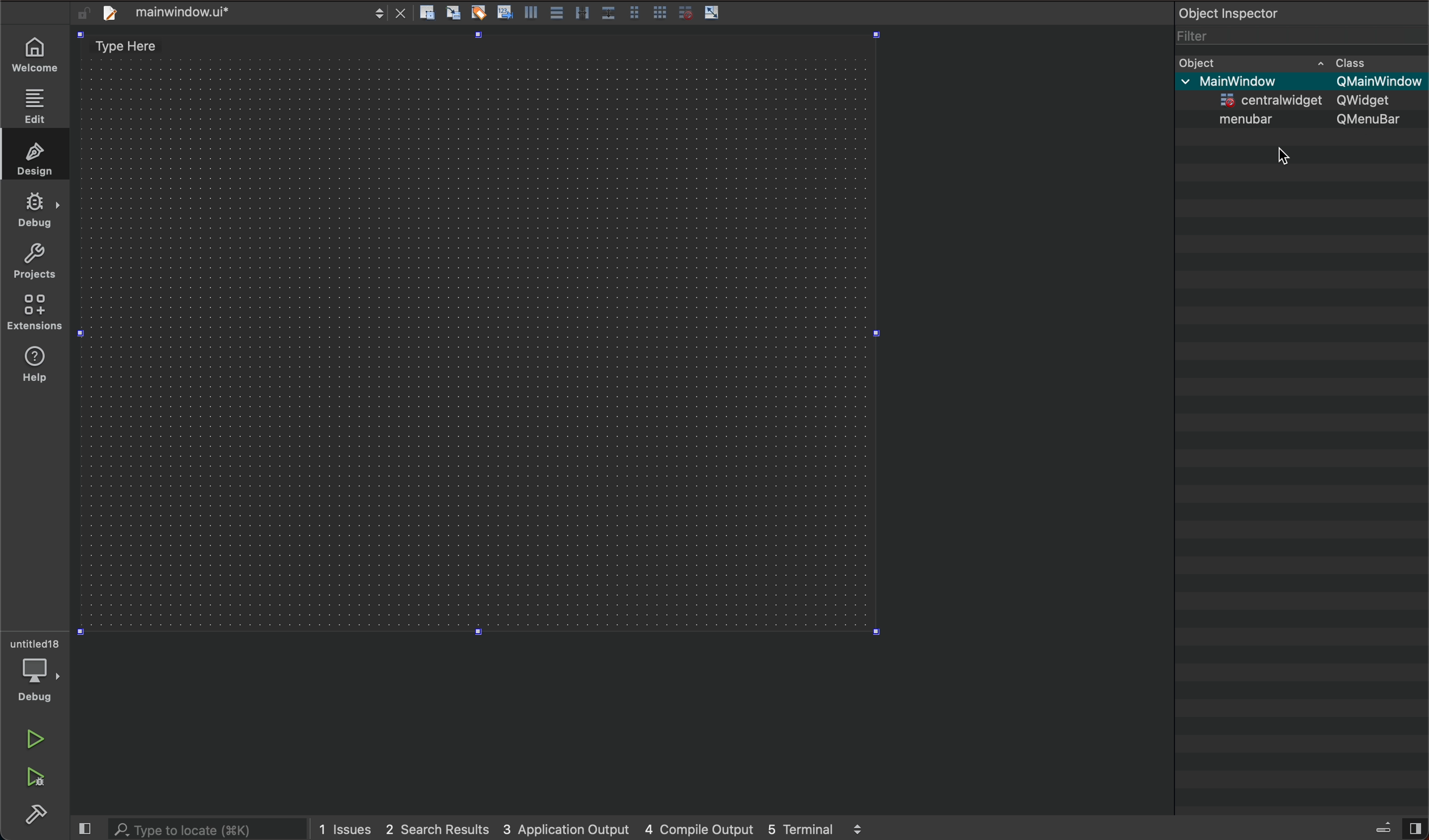 The height and width of the screenshot is (840, 1429). What do you see at coordinates (814, 829) in the screenshot?
I see `5 terminal` at bounding box center [814, 829].